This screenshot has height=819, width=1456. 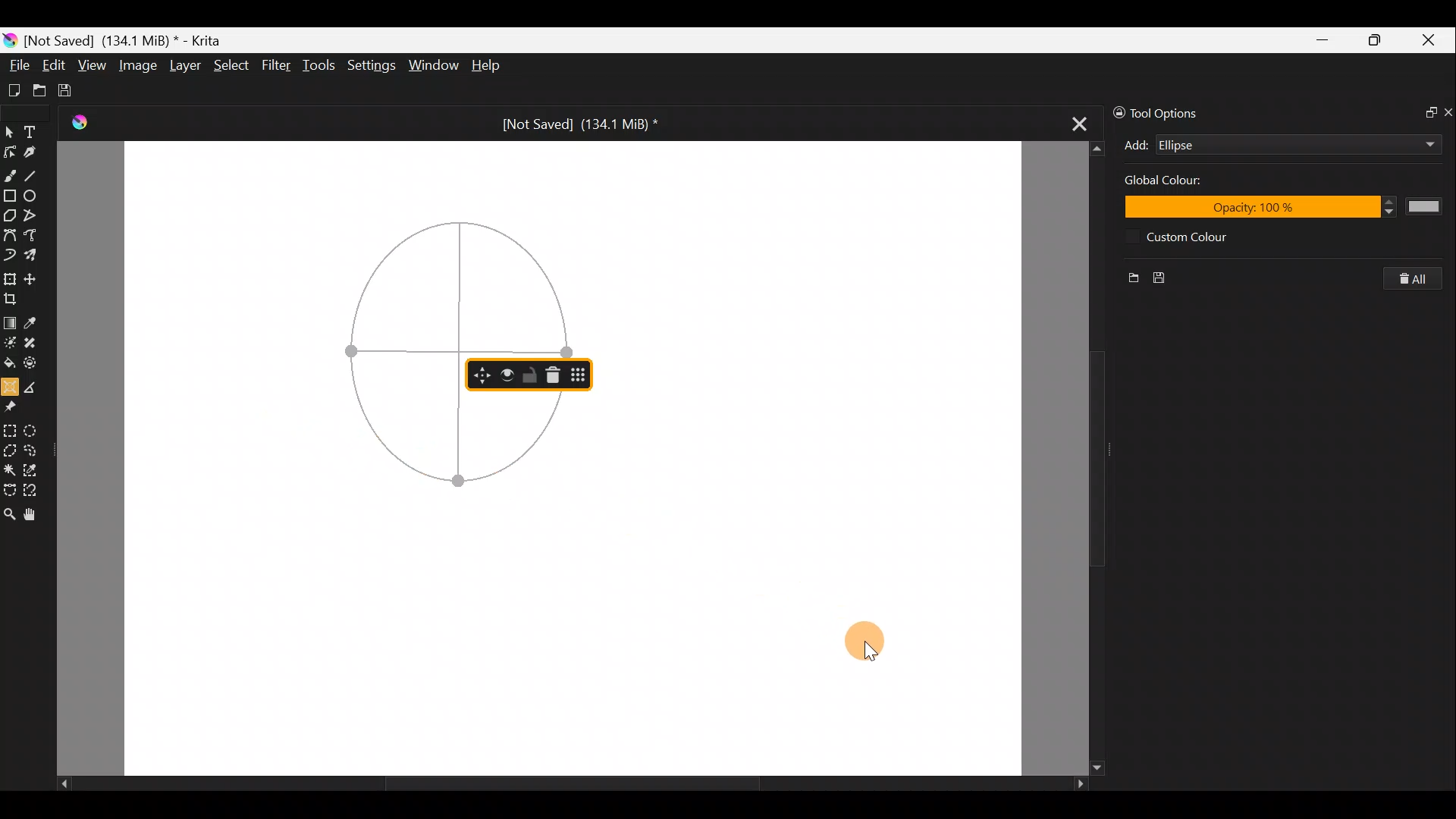 I want to click on [Not Saved] (134.1 MiB), so click(x=587, y=122).